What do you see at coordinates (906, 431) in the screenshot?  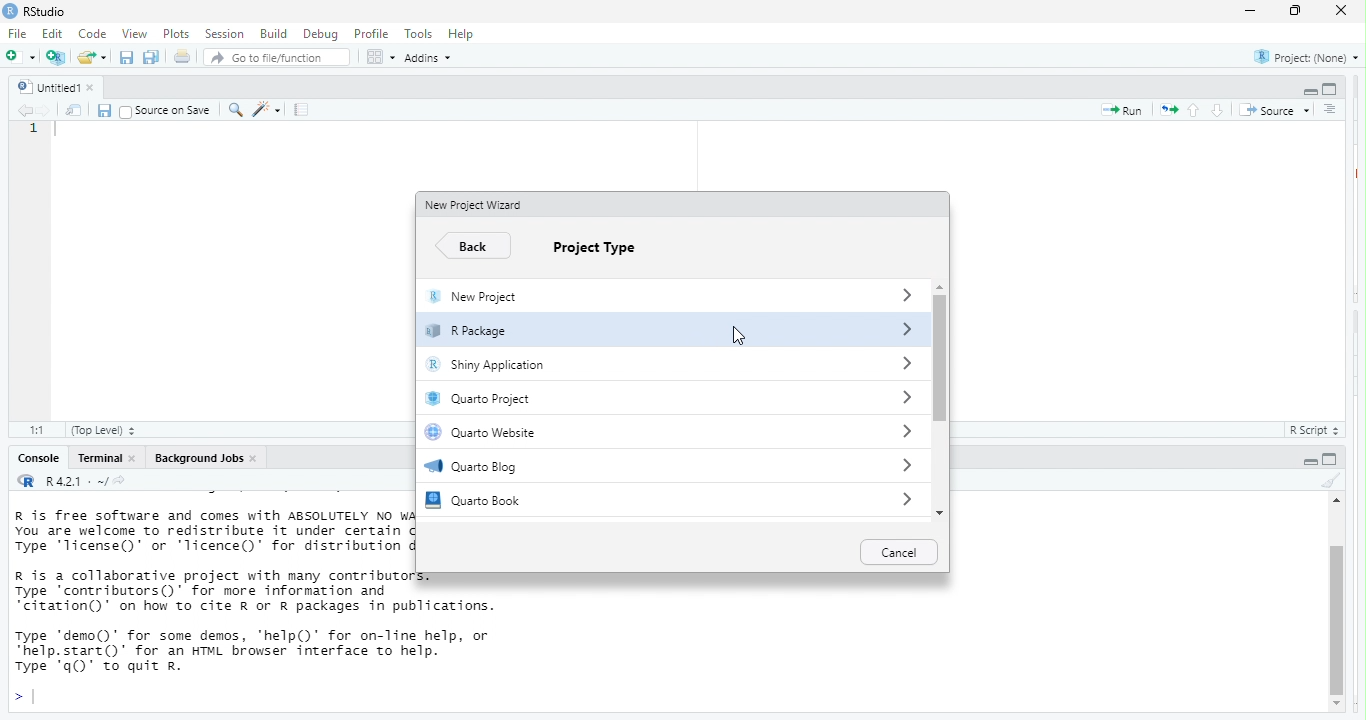 I see `dropdown` at bounding box center [906, 431].